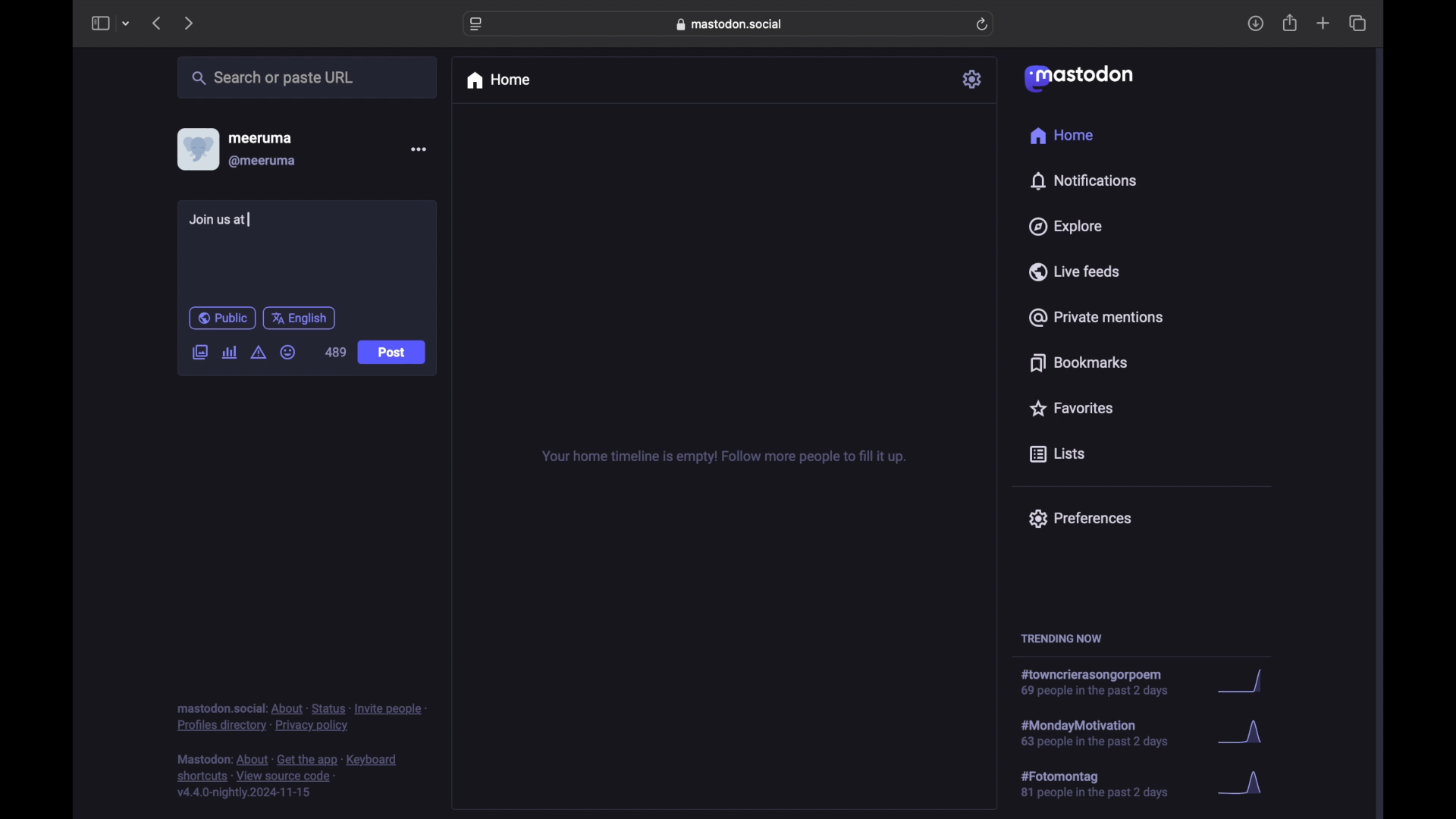  I want to click on private mentions, so click(1097, 317).